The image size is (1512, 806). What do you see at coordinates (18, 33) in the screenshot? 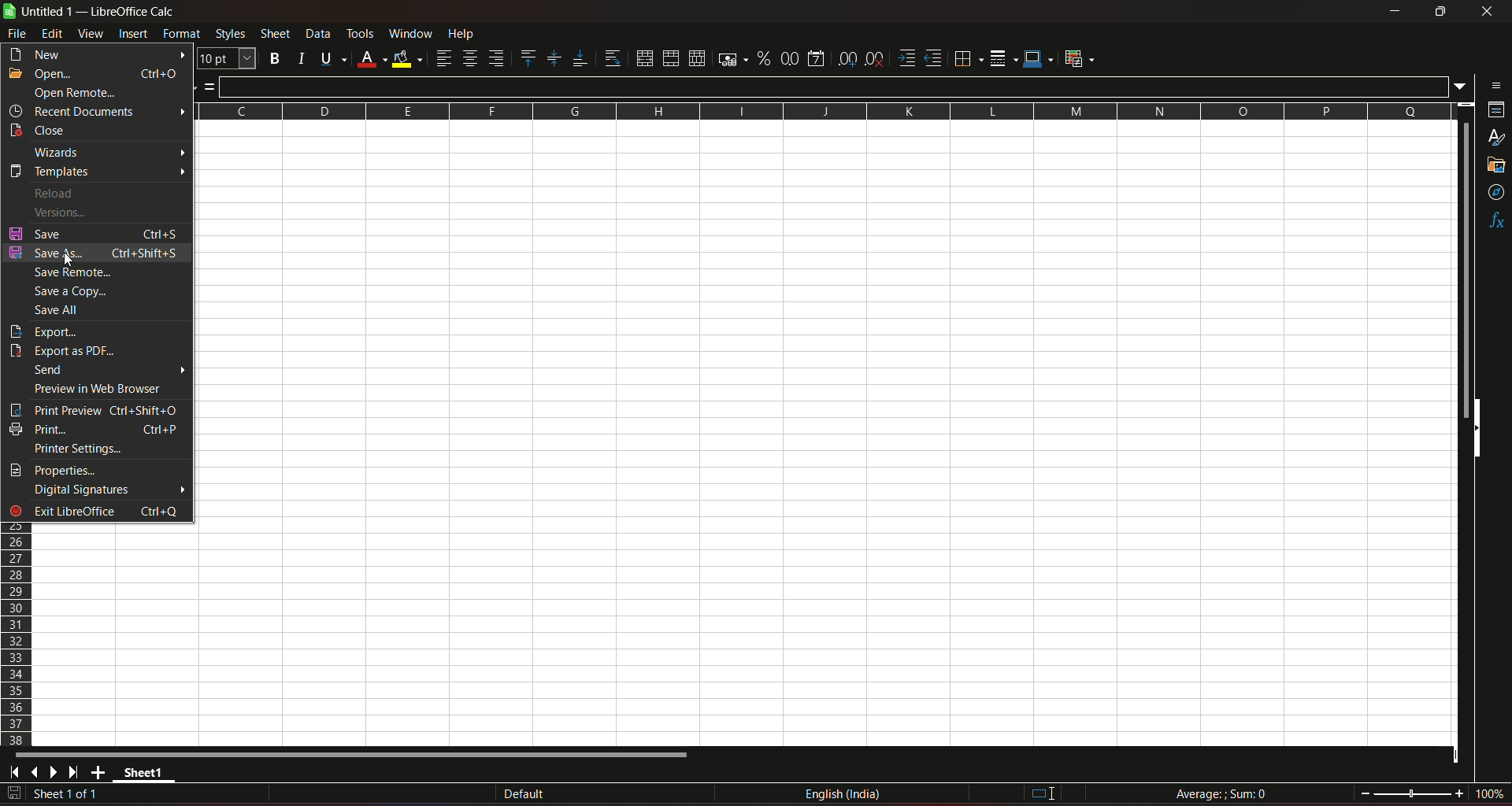
I see `file` at bounding box center [18, 33].